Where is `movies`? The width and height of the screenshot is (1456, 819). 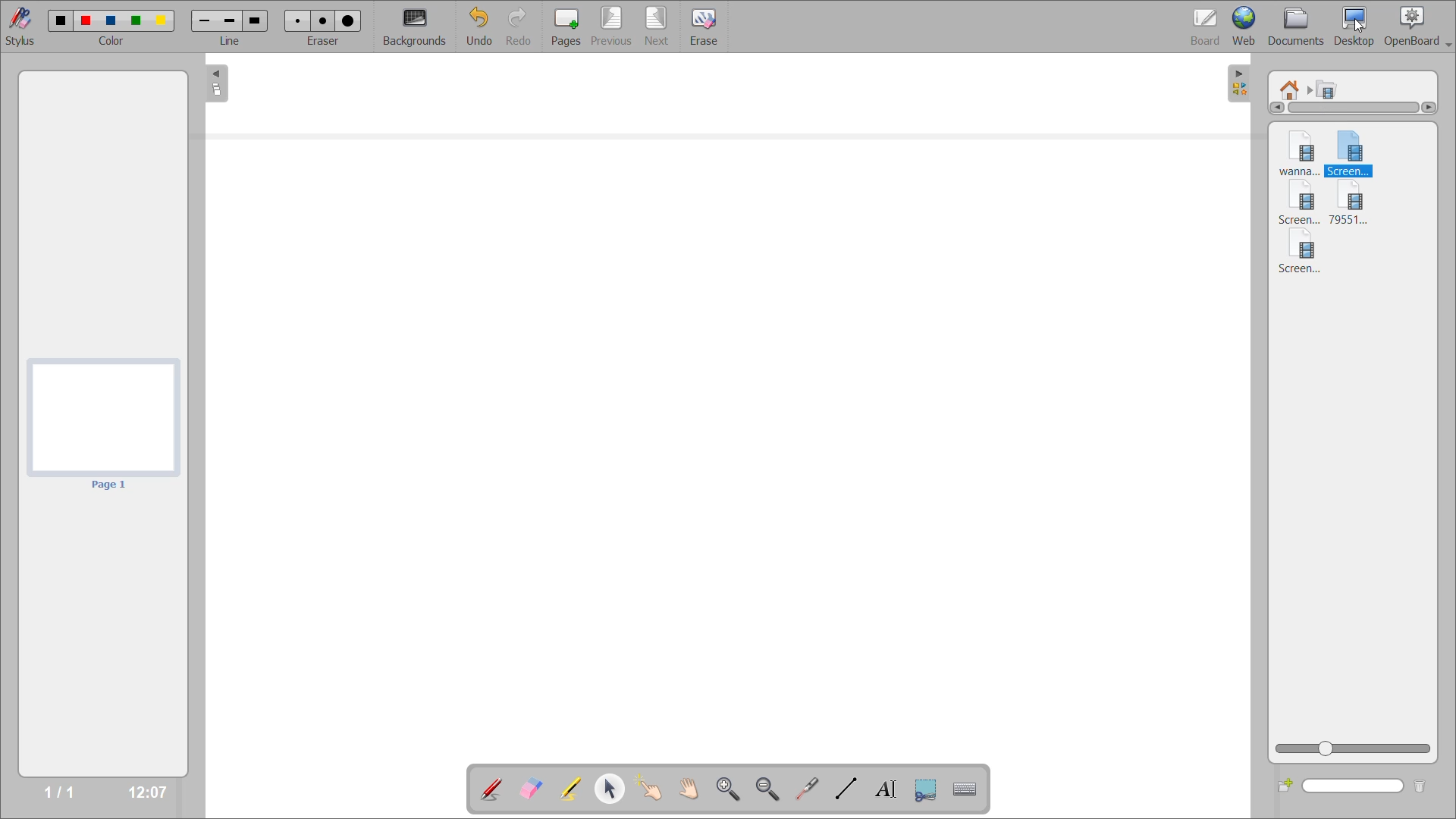 movies is located at coordinates (1335, 89).